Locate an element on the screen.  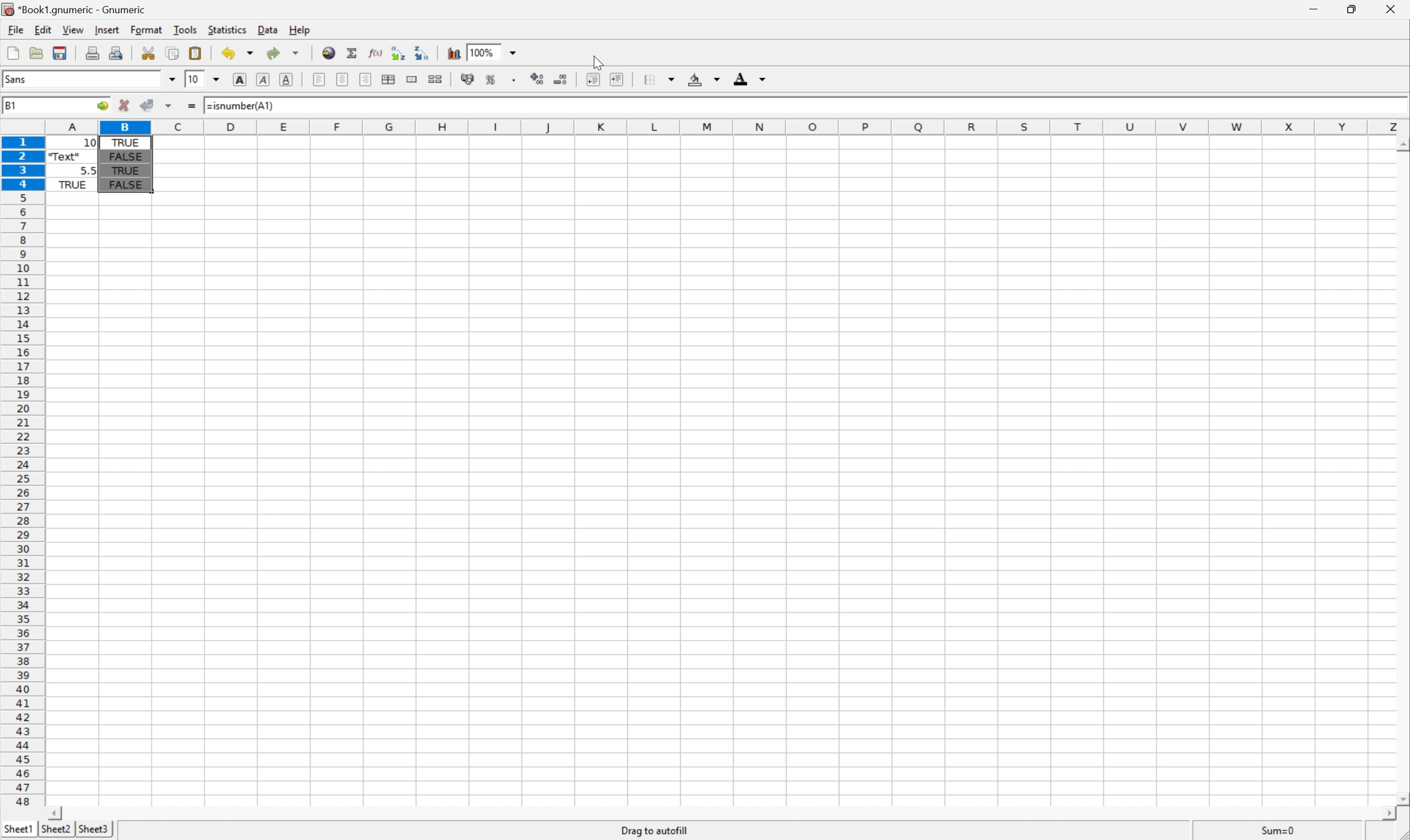
Cursor is located at coordinates (597, 65).